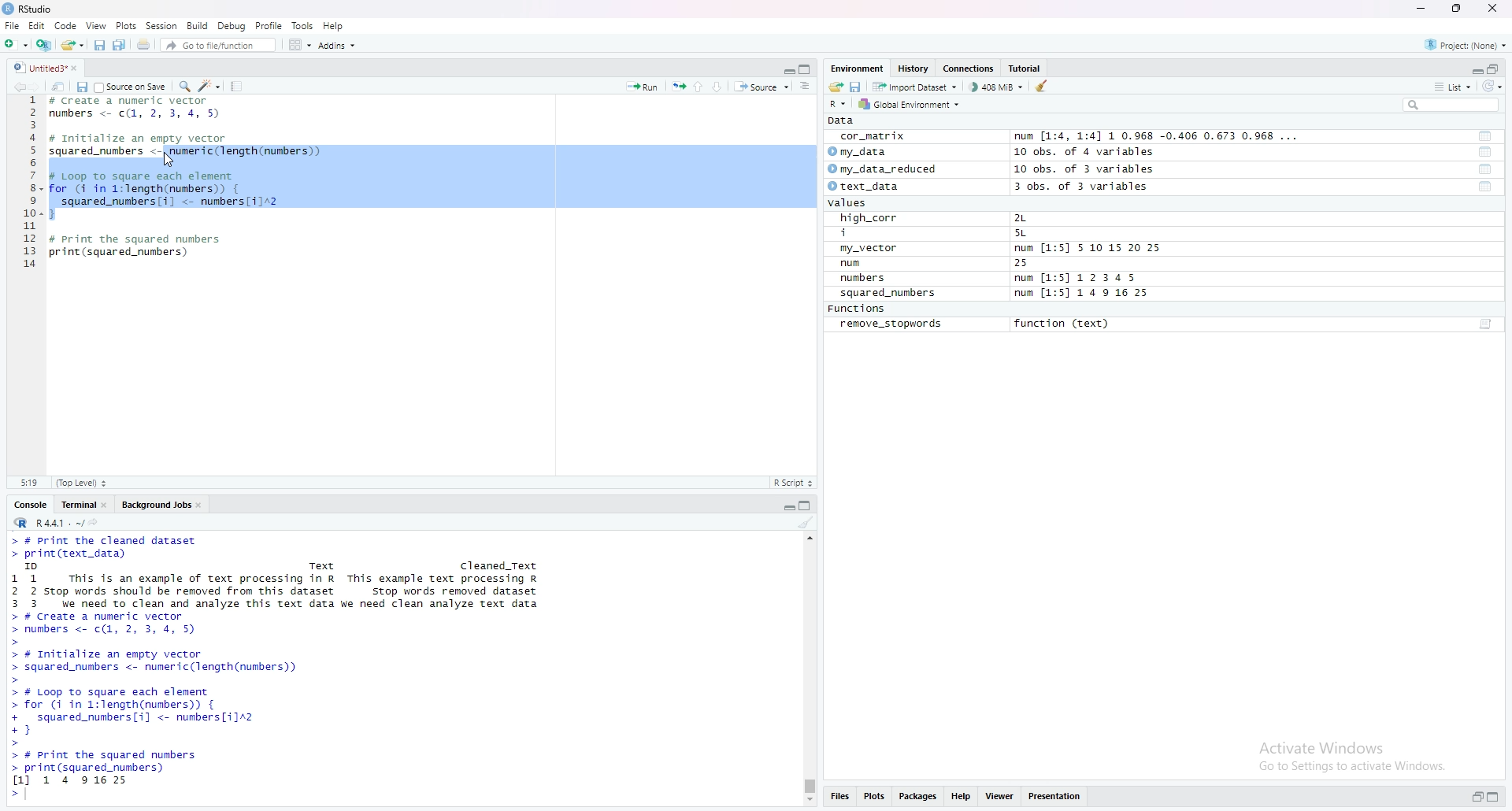  I want to click on cor_matrix, so click(871, 137).